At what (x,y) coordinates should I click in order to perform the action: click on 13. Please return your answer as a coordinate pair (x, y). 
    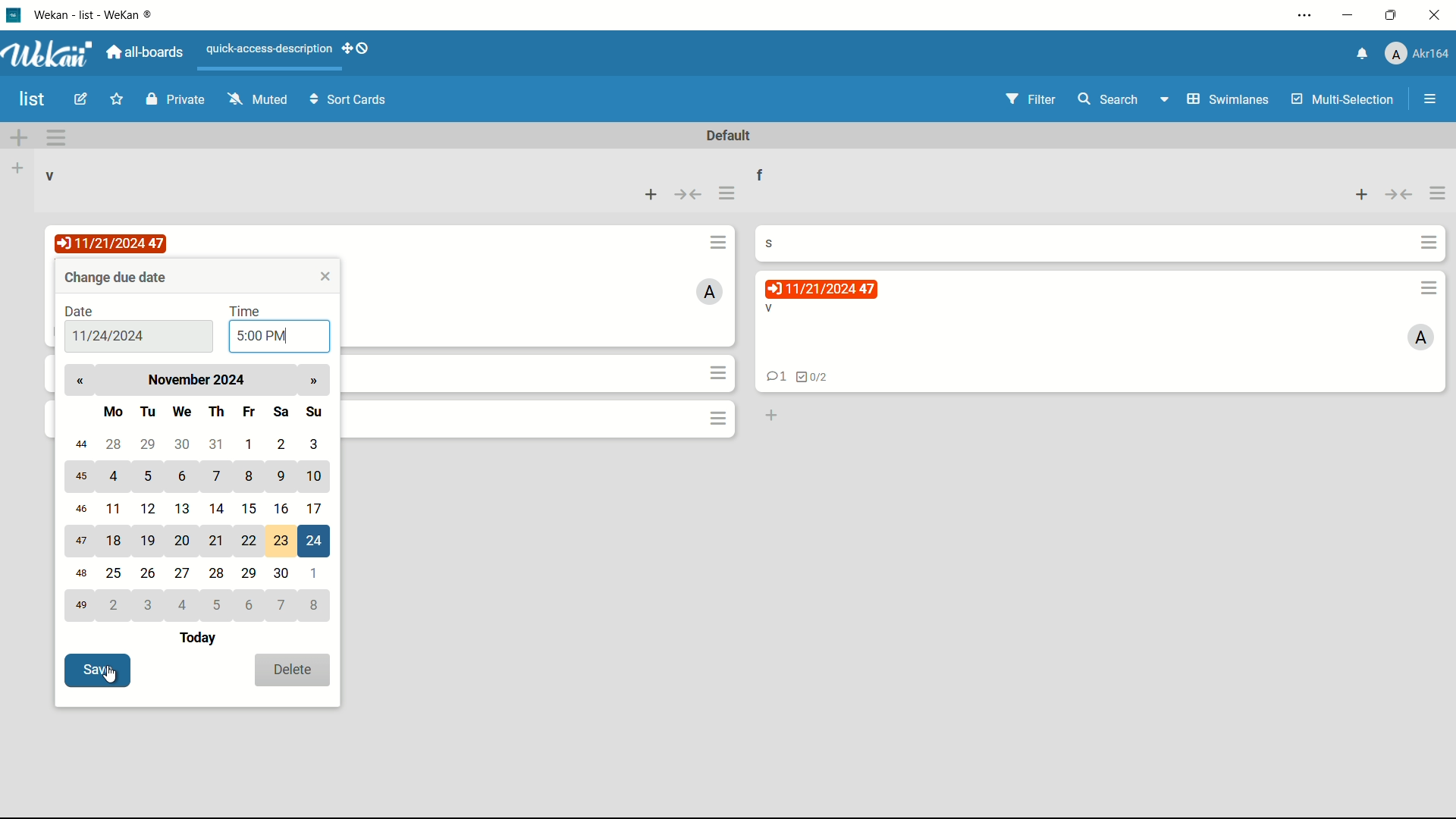
    Looking at the image, I should click on (185, 508).